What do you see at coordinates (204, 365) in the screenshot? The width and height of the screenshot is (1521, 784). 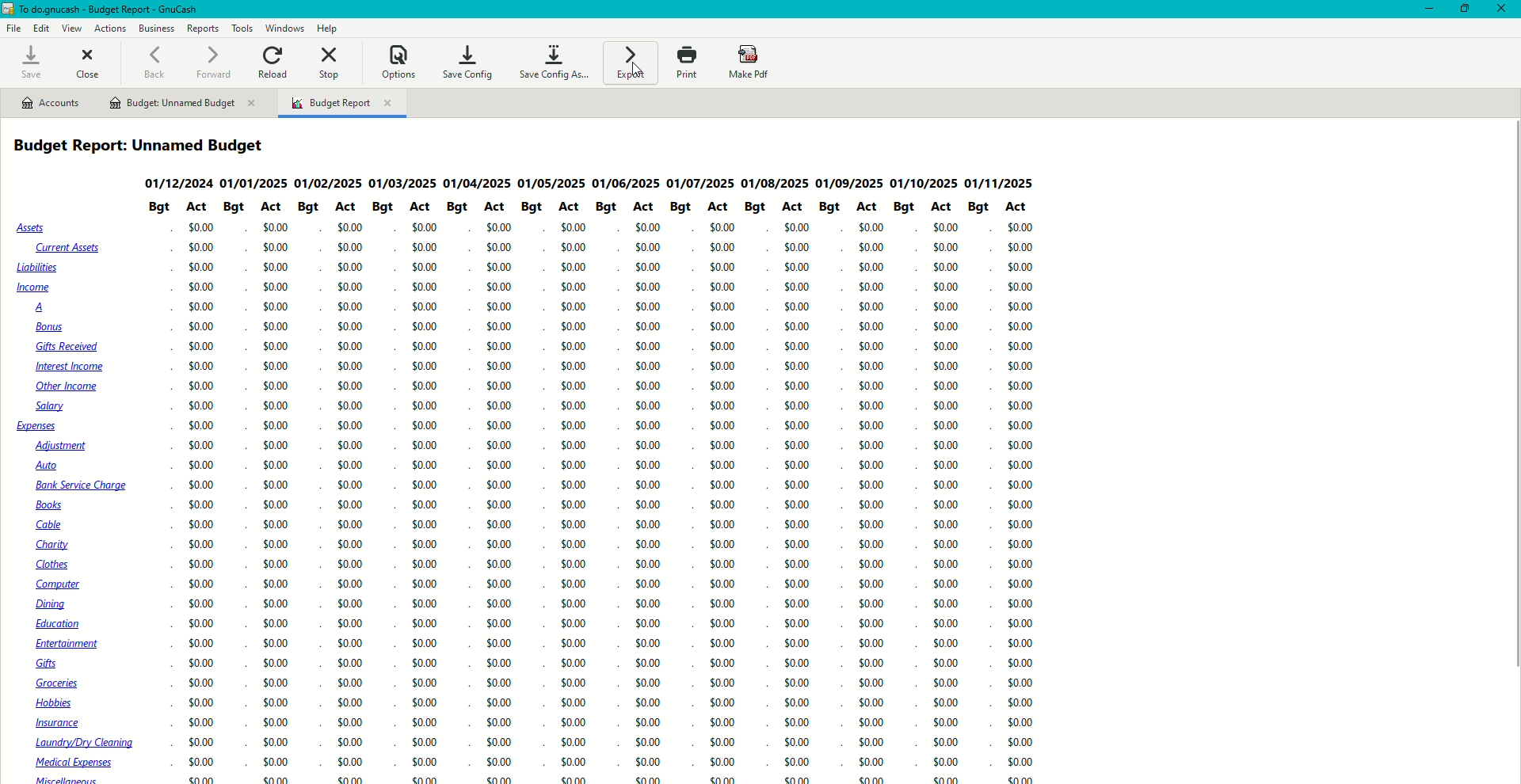 I see `0.00` at bounding box center [204, 365].